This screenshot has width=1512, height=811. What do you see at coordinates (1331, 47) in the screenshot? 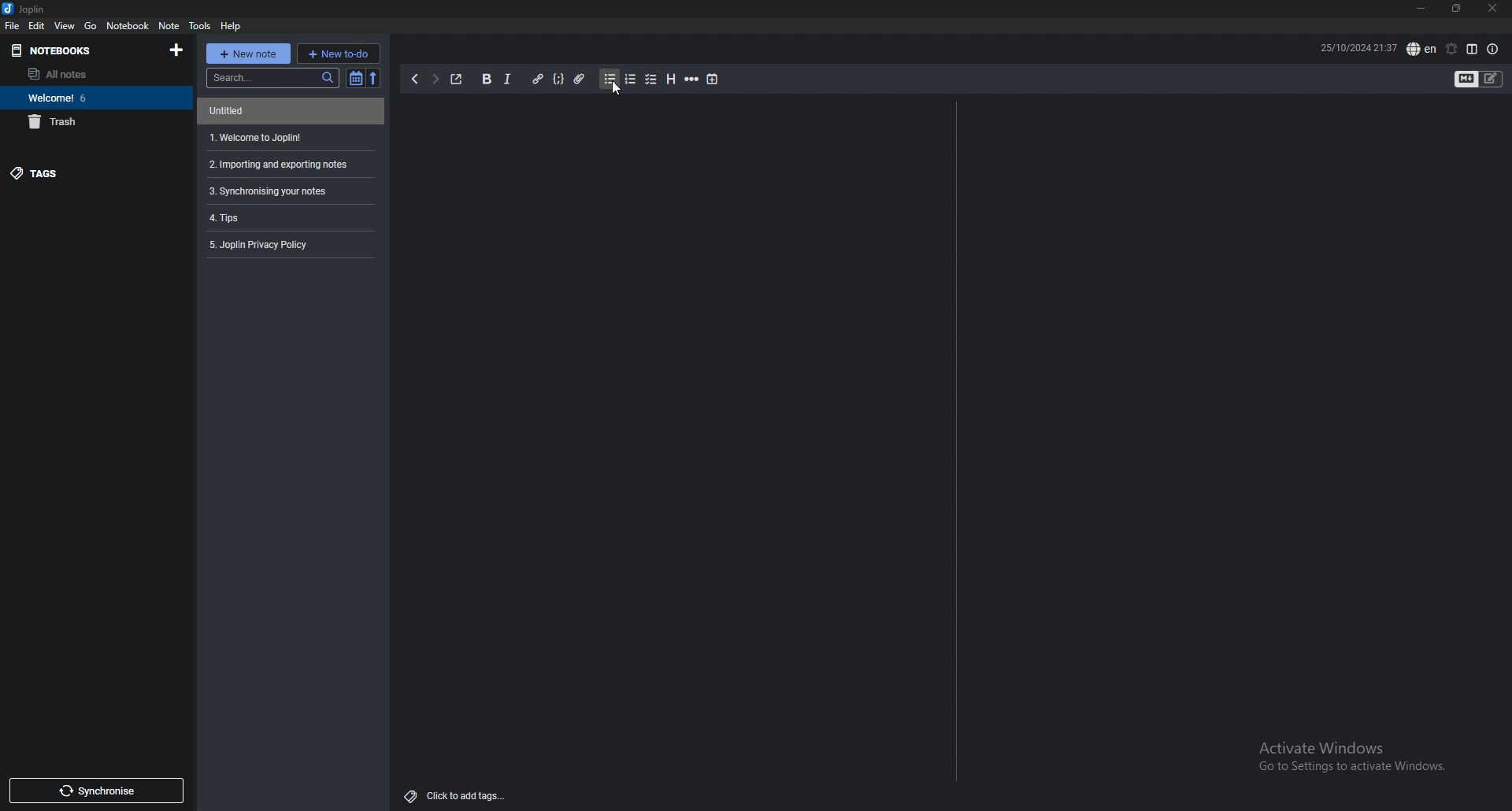
I see `25/10/2024 21:37` at bounding box center [1331, 47].